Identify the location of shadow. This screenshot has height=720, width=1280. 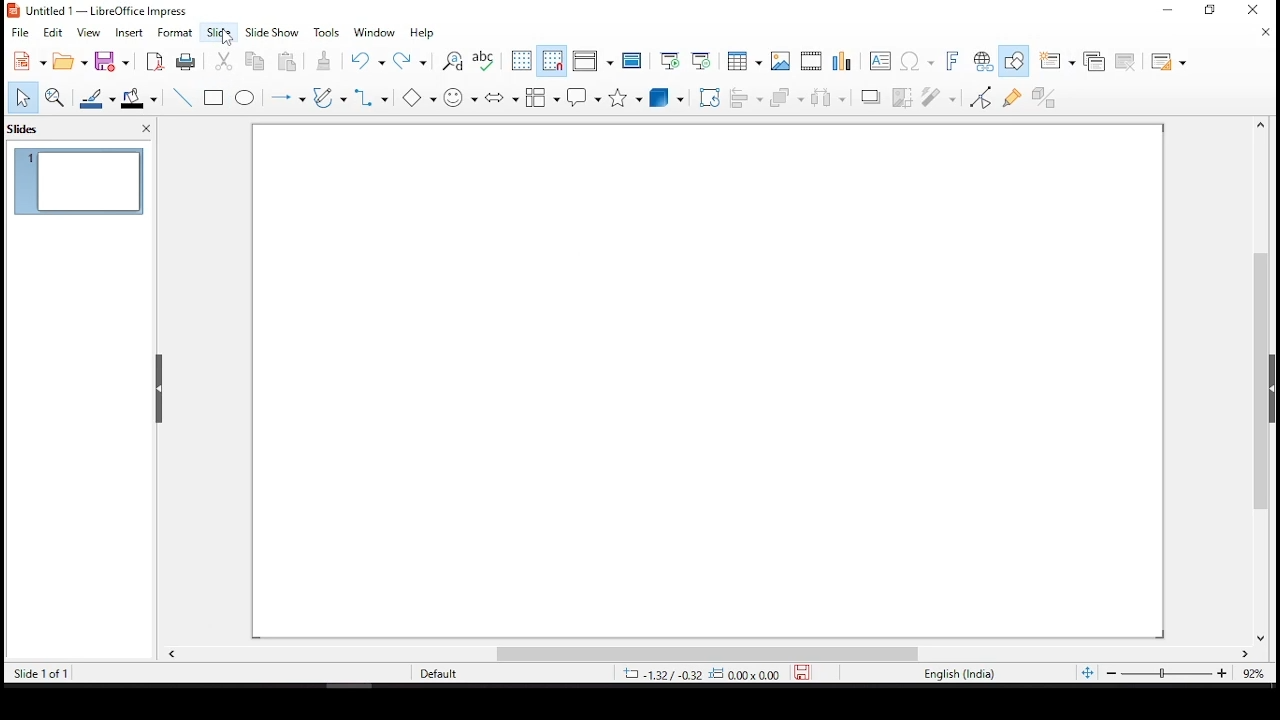
(867, 96).